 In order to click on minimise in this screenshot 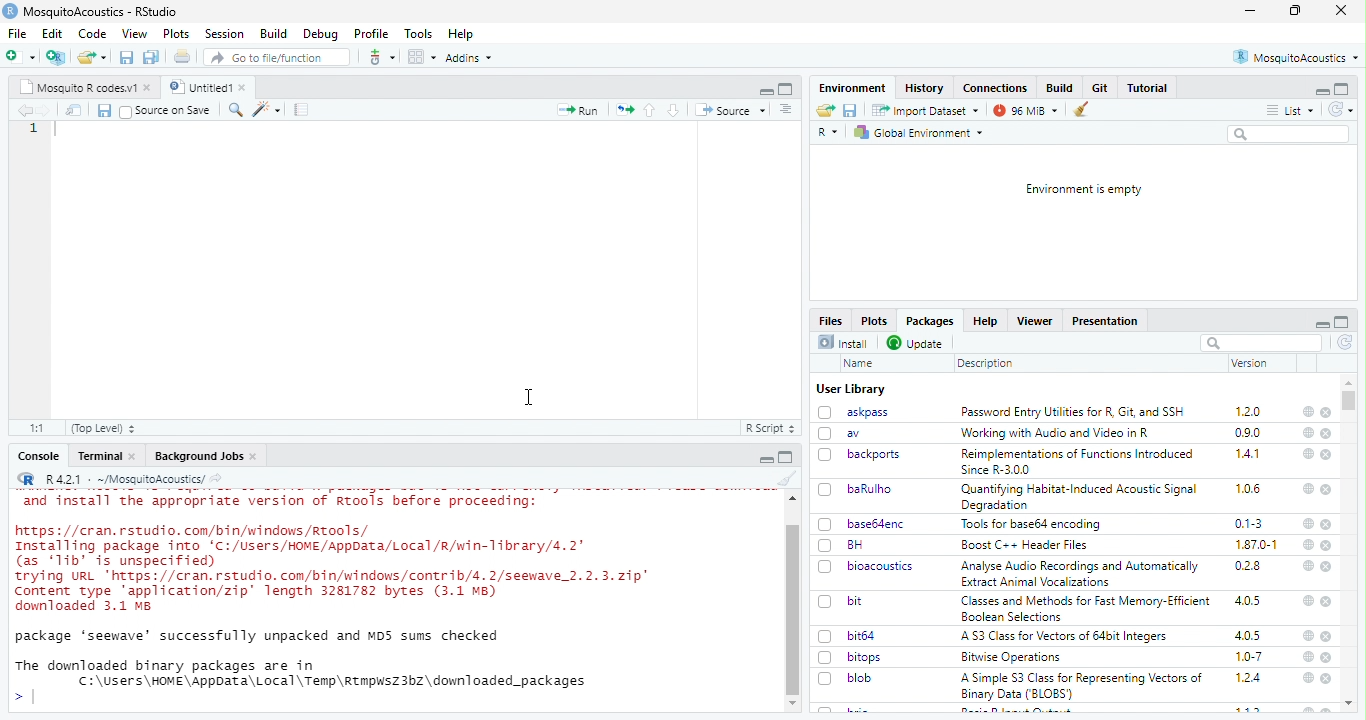, I will do `click(767, 460)`.